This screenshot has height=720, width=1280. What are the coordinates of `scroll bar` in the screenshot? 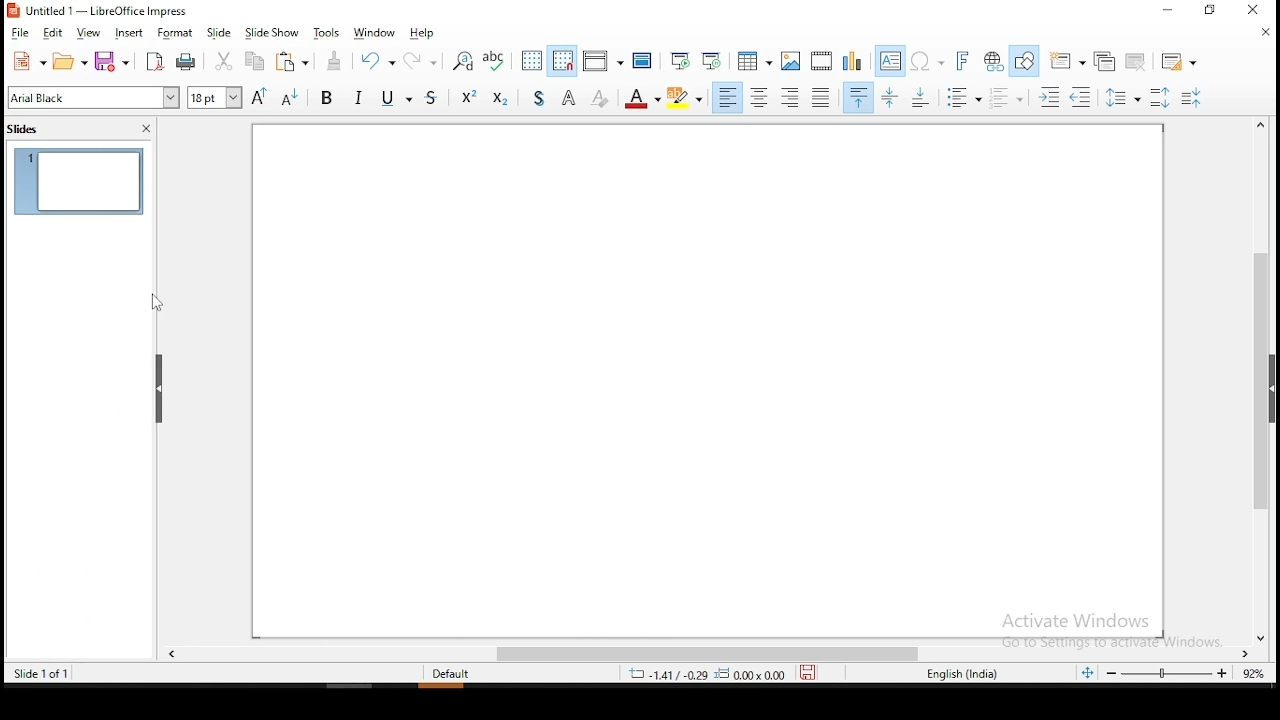 It's located at (705, 654).